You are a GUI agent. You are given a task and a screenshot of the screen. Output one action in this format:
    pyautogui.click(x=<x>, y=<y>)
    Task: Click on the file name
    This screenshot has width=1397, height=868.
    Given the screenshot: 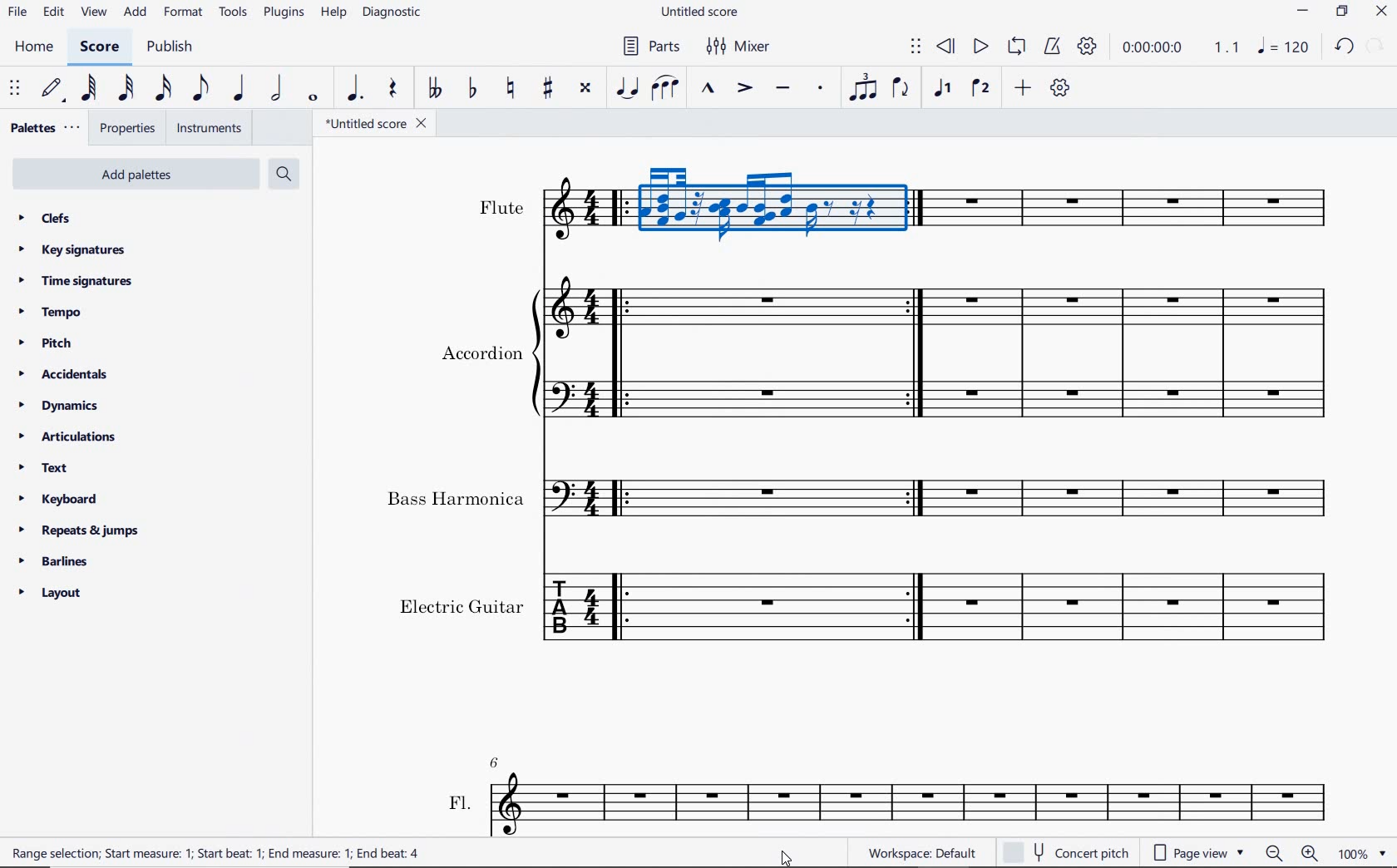 What is the action you would take?
    pyautogui.click(x=373, y=124)
    